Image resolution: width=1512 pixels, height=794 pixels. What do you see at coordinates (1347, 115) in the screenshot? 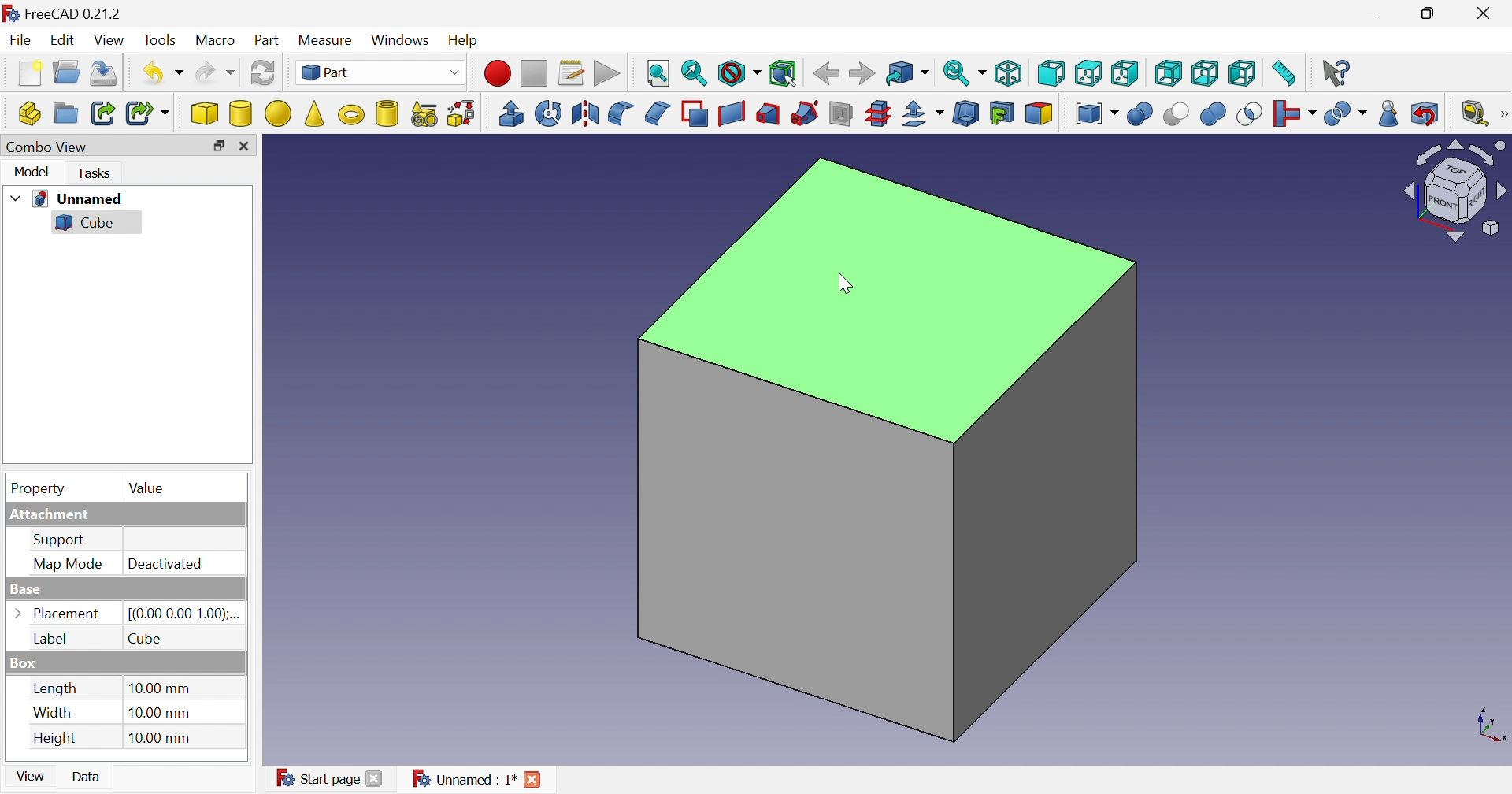
I see `Split objects` at bounding box center [1347, 115].